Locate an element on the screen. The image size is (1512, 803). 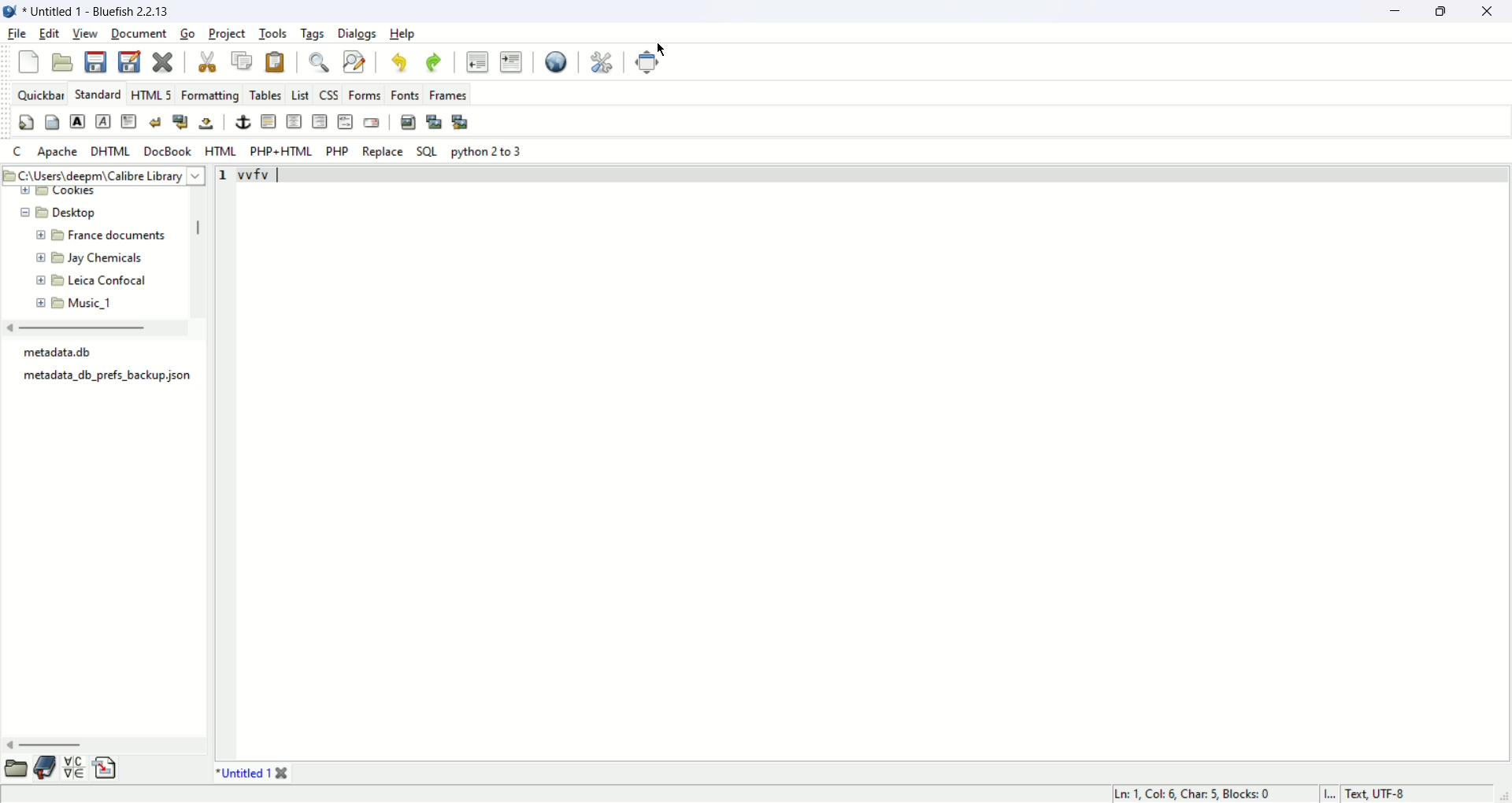
maximize is located at coordinates (1443, 10).